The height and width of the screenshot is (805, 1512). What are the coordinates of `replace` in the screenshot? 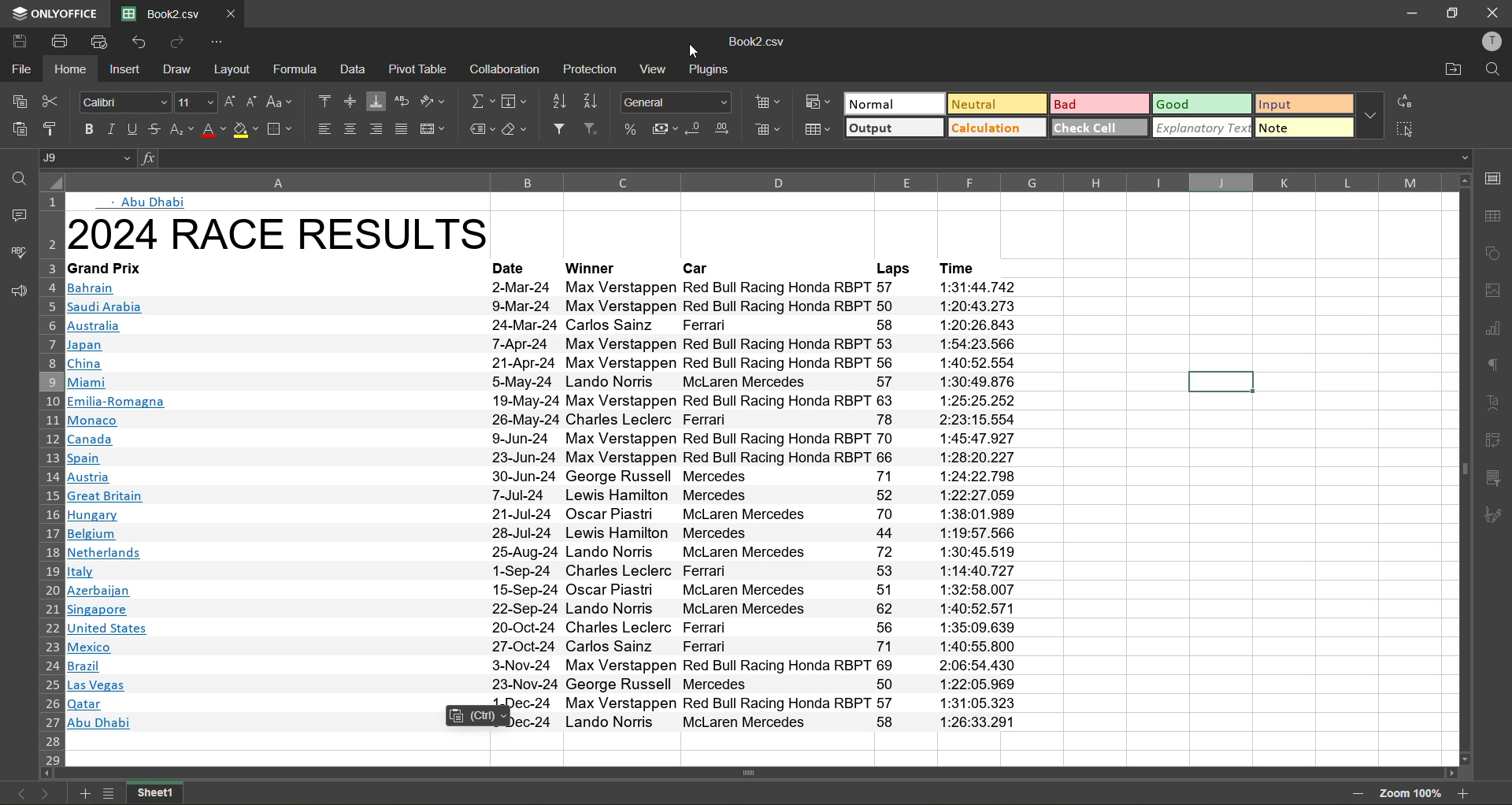 It's located at (1408, 101).